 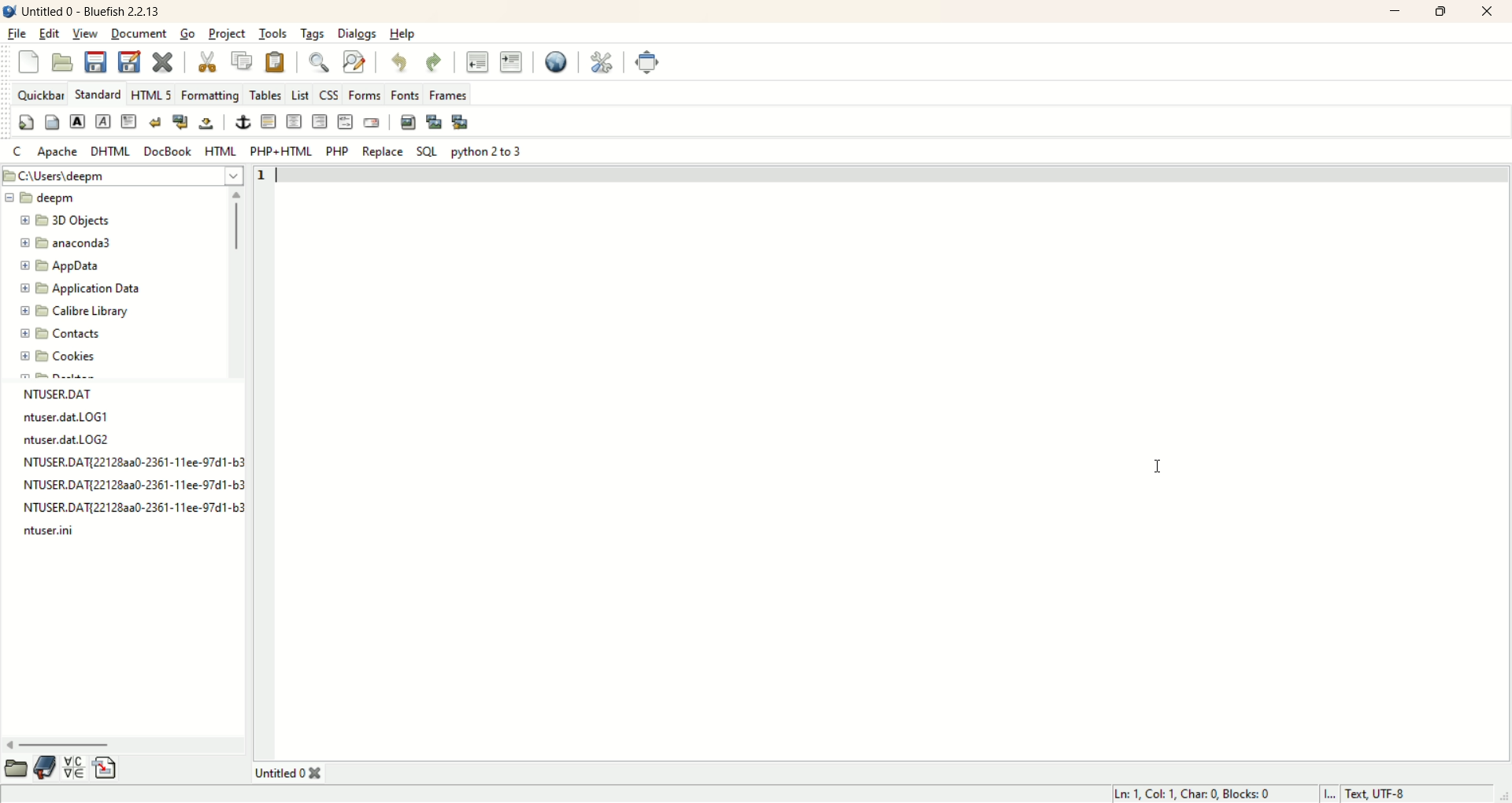 I want to click on edit preferences, so click(x=602, y=63).